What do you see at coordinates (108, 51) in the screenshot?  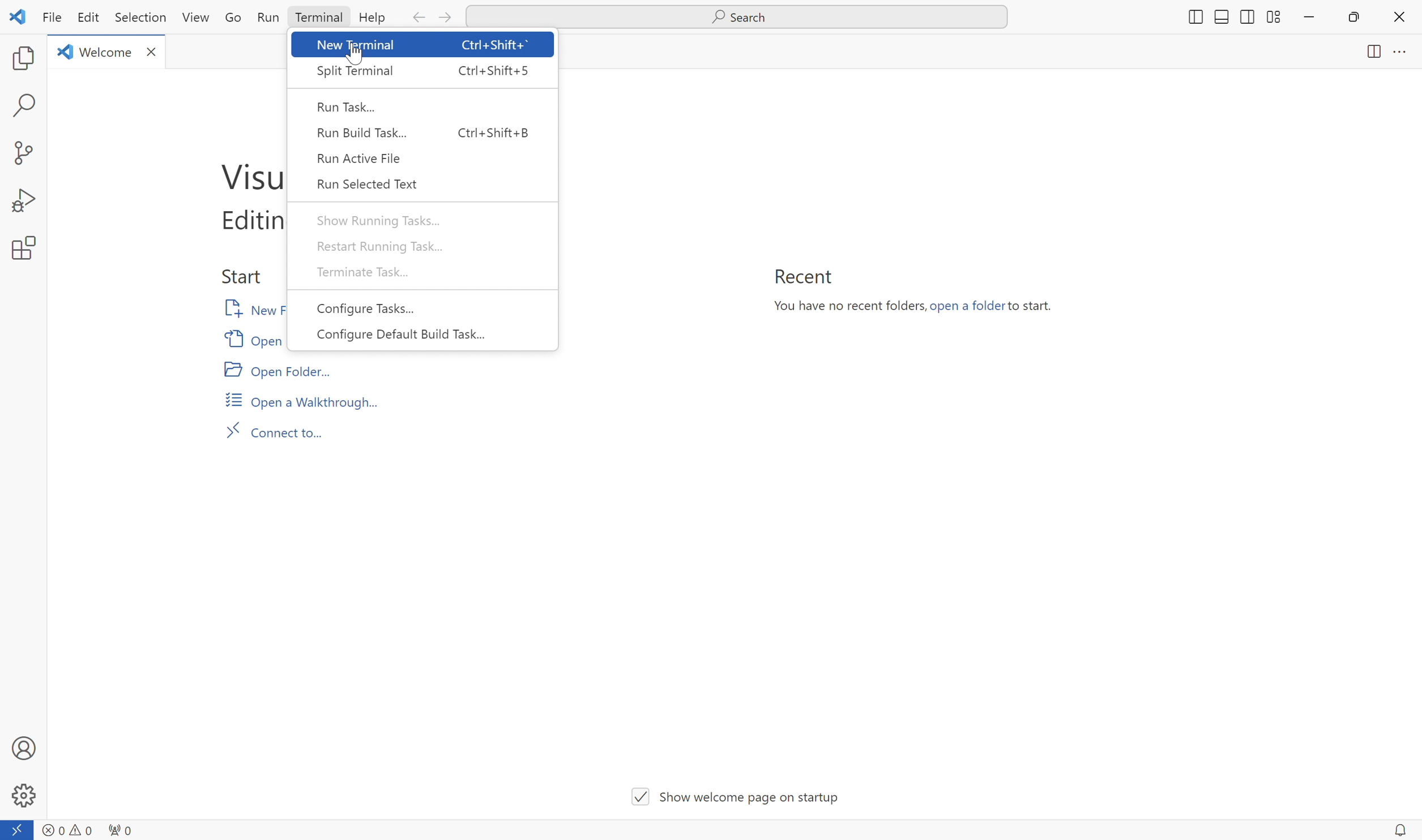 I see `Welcome ` at bounding box center [108, 51].